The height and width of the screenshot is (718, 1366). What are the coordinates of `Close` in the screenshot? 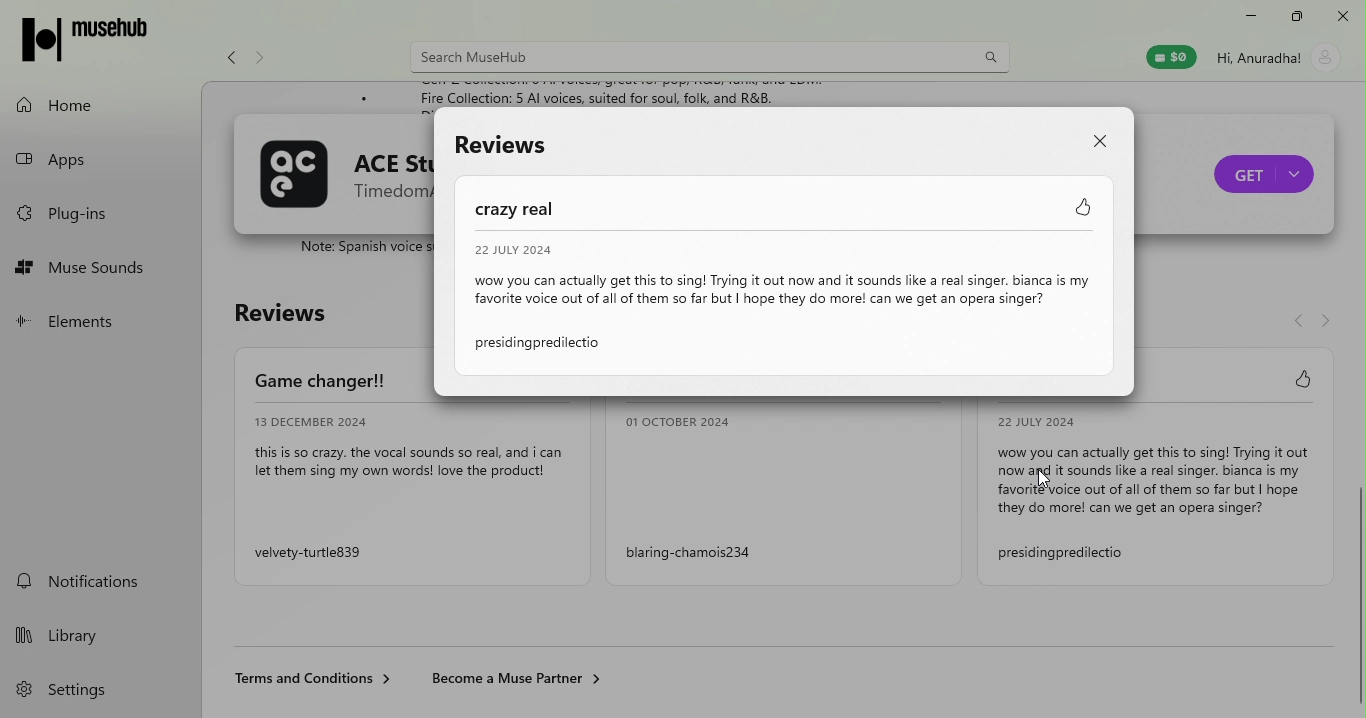 It's located at (1094, 142).